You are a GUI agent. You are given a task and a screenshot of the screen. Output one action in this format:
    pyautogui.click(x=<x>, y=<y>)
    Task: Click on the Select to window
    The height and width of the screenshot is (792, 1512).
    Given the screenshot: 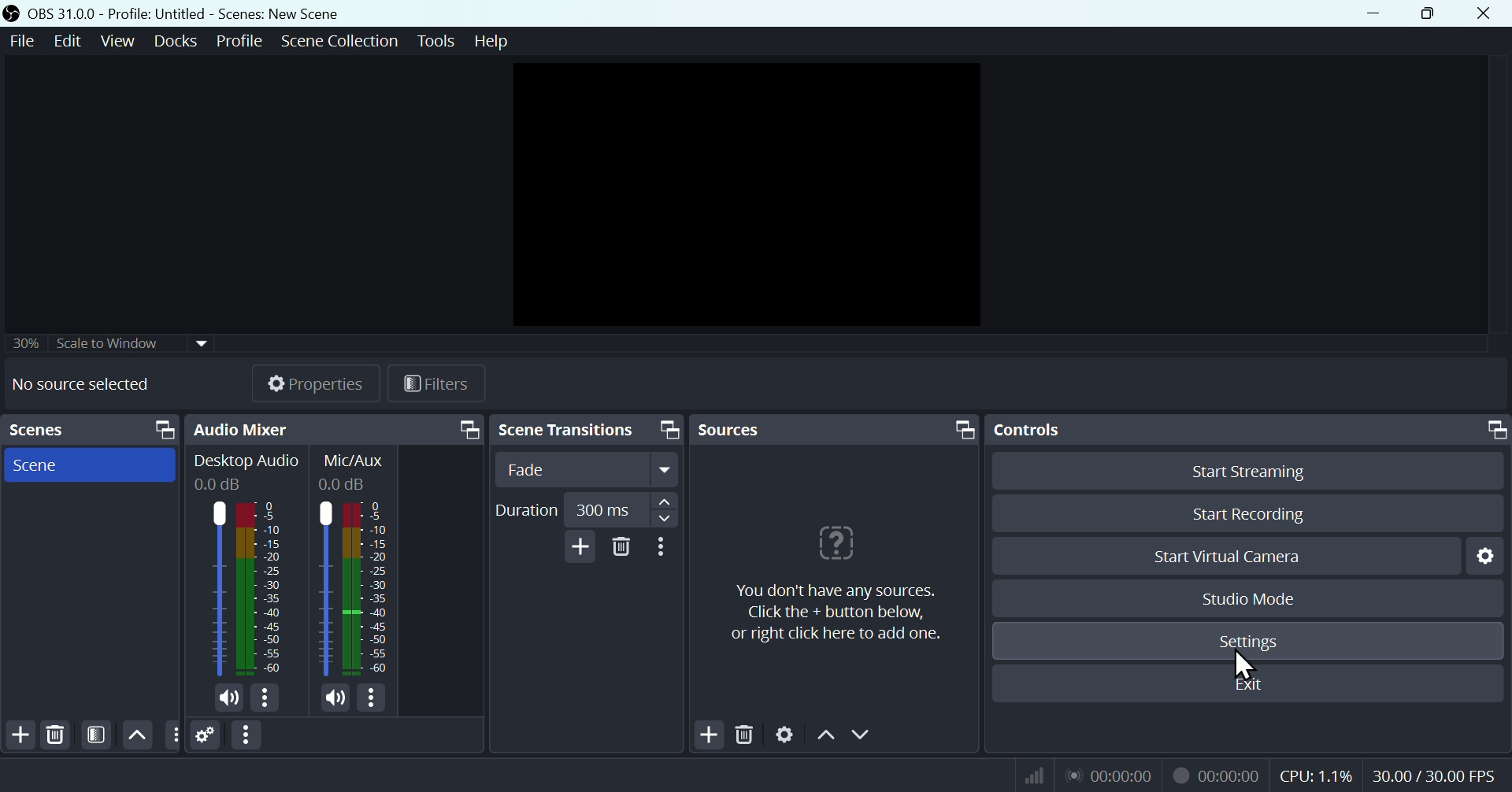 What is the action you would take?
    pyautogui.click(x=113, y=347)
    